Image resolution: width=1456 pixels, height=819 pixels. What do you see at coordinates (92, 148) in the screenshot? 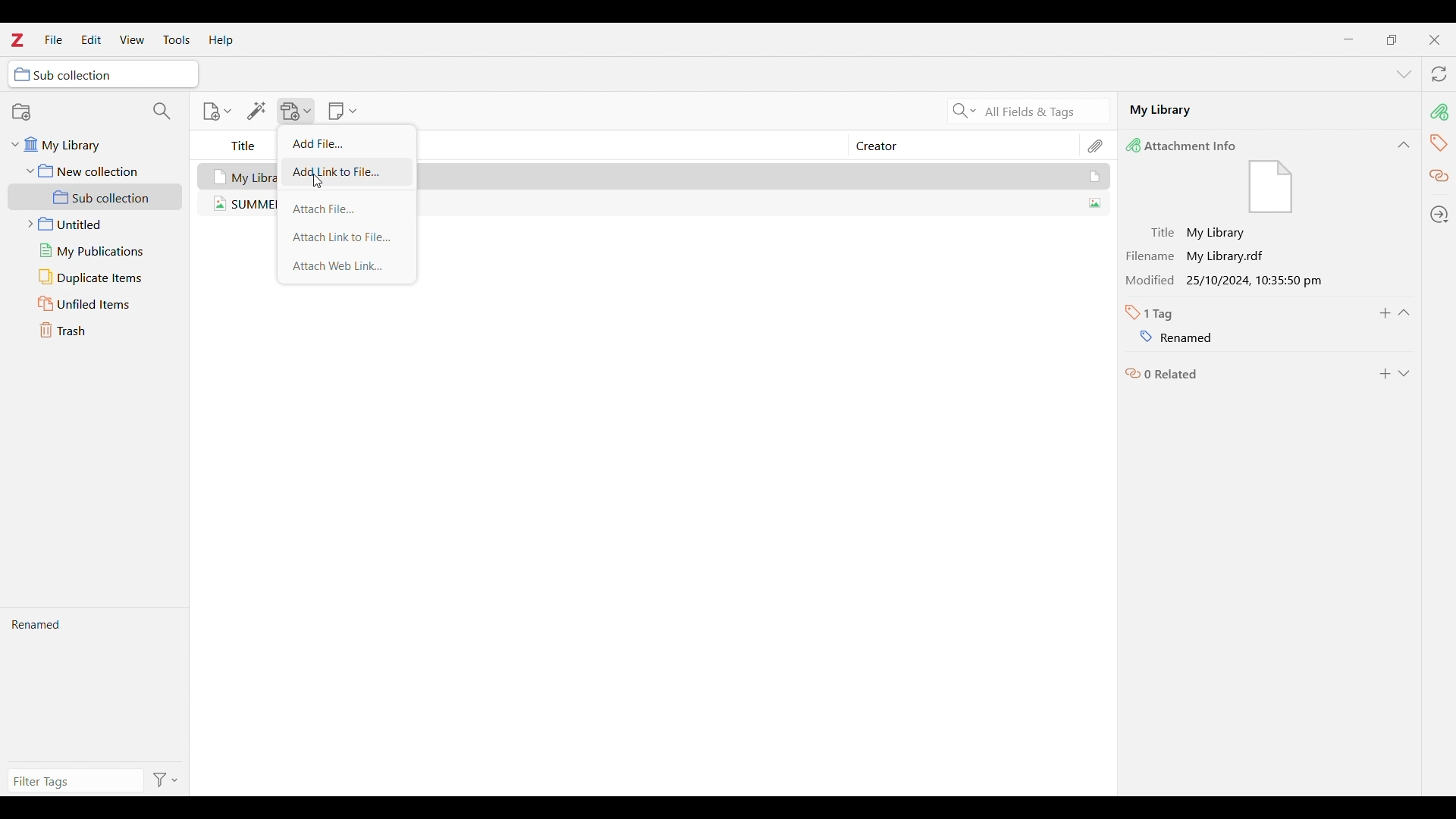
I see `My library folder` at bounding box center [92, 148].